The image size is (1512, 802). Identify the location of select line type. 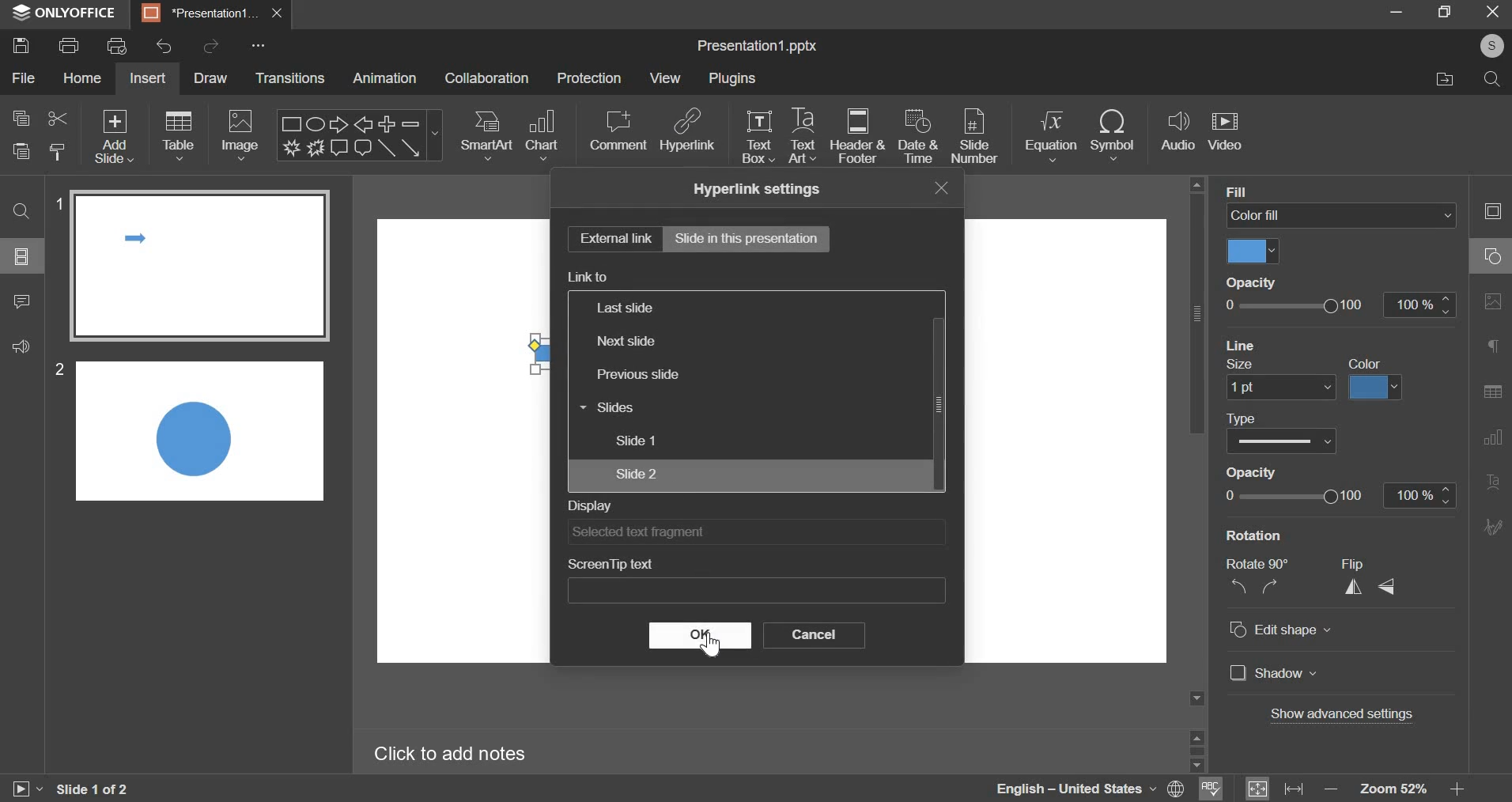
(1284, 443).